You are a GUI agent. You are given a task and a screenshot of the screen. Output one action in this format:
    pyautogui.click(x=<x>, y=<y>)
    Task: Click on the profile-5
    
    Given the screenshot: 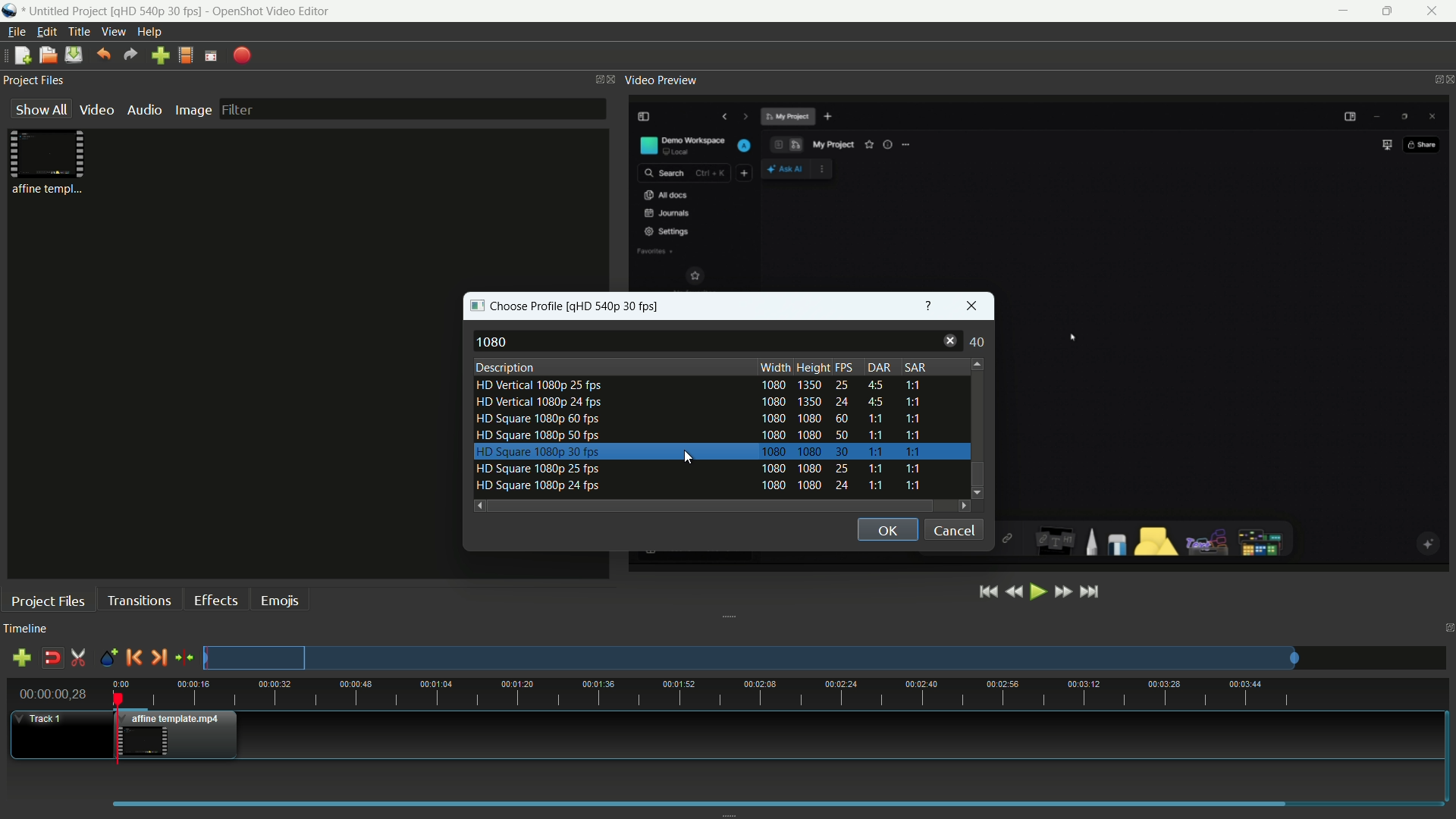 What is the action you would take?
    pyautogui.click(x=698, y=452)
    